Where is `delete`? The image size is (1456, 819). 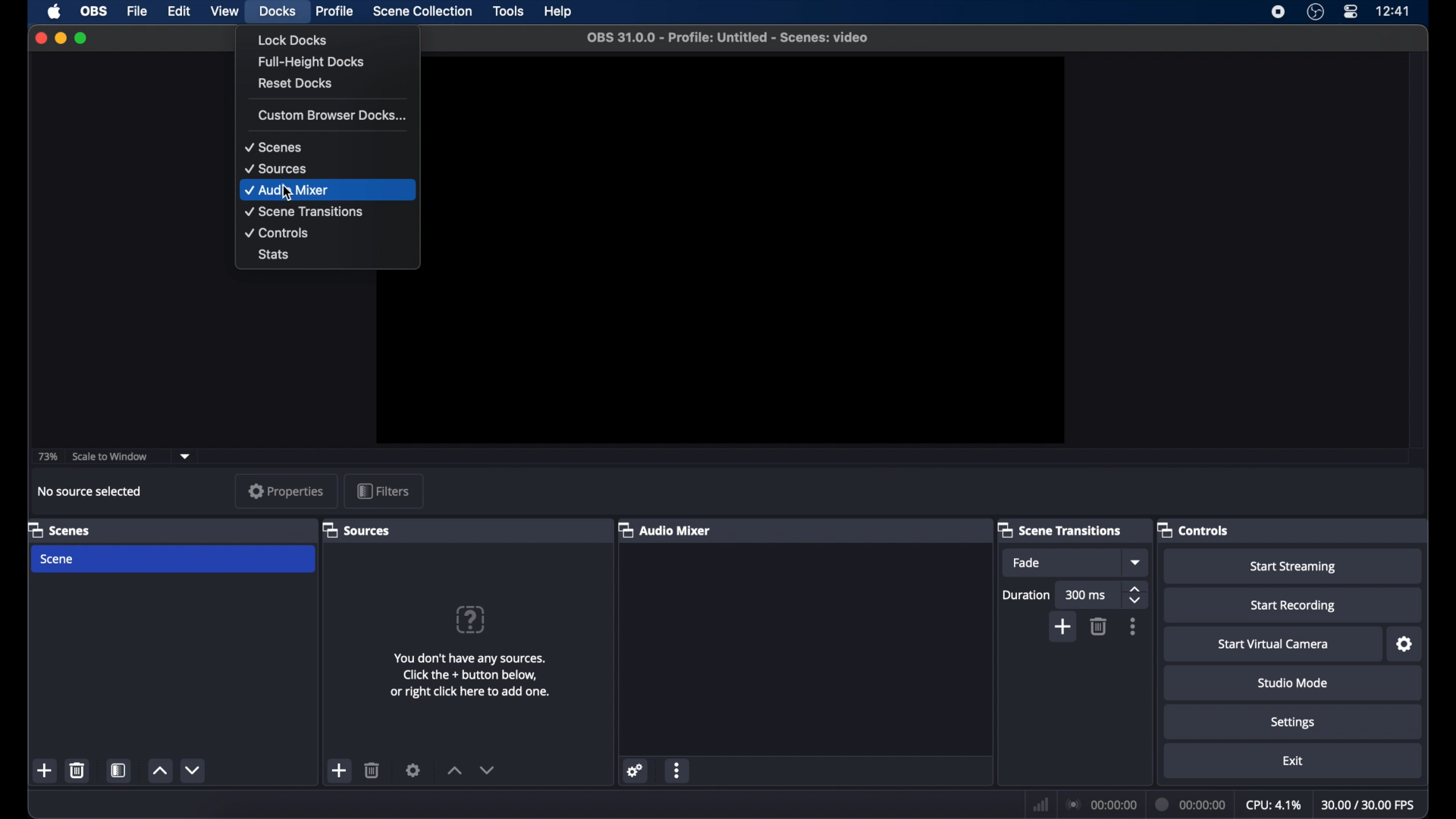
delete is located at coordinates (1100, 626).